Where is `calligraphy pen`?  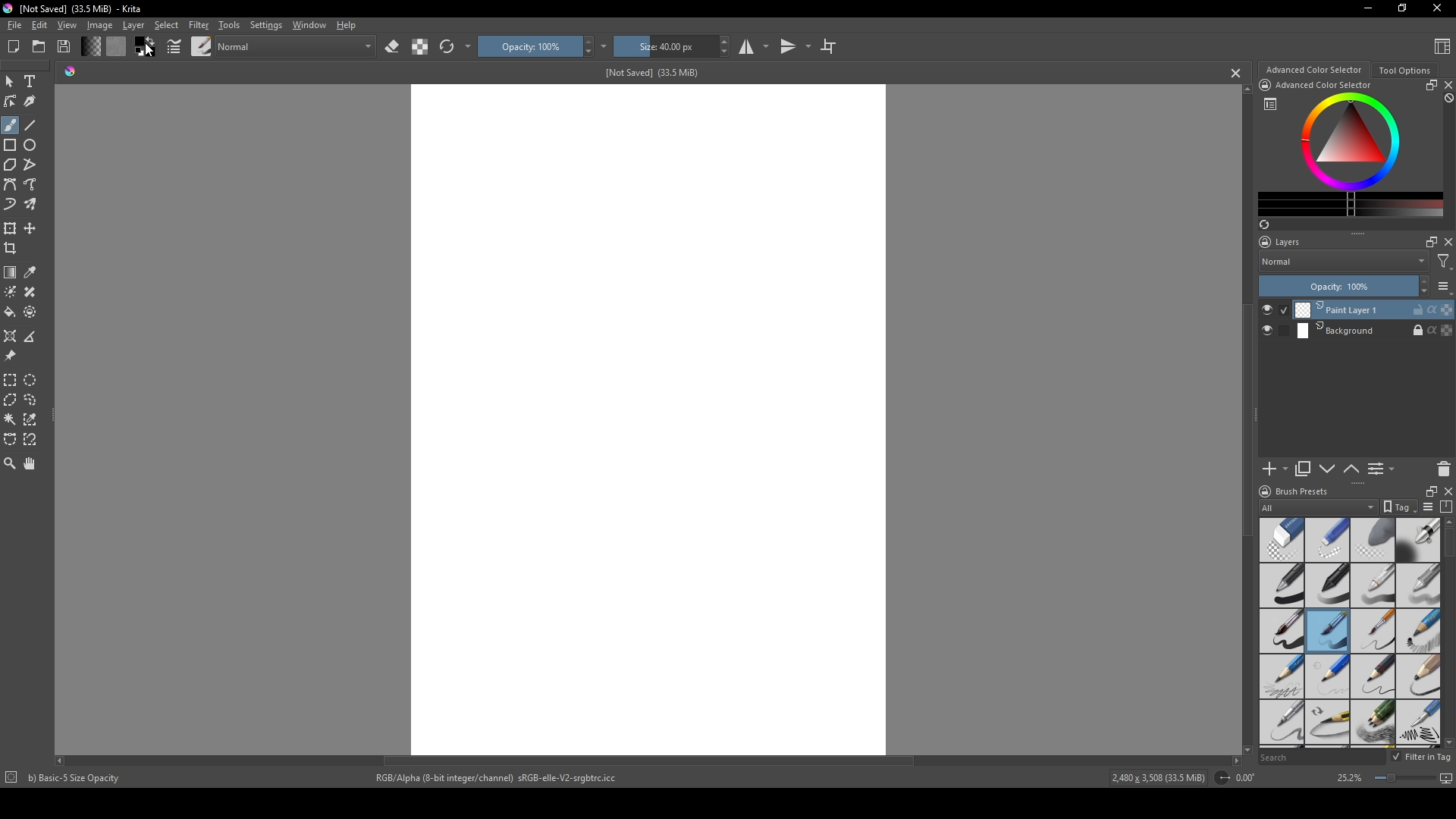
calligraphy pen is located at coordinates (1418, 724).